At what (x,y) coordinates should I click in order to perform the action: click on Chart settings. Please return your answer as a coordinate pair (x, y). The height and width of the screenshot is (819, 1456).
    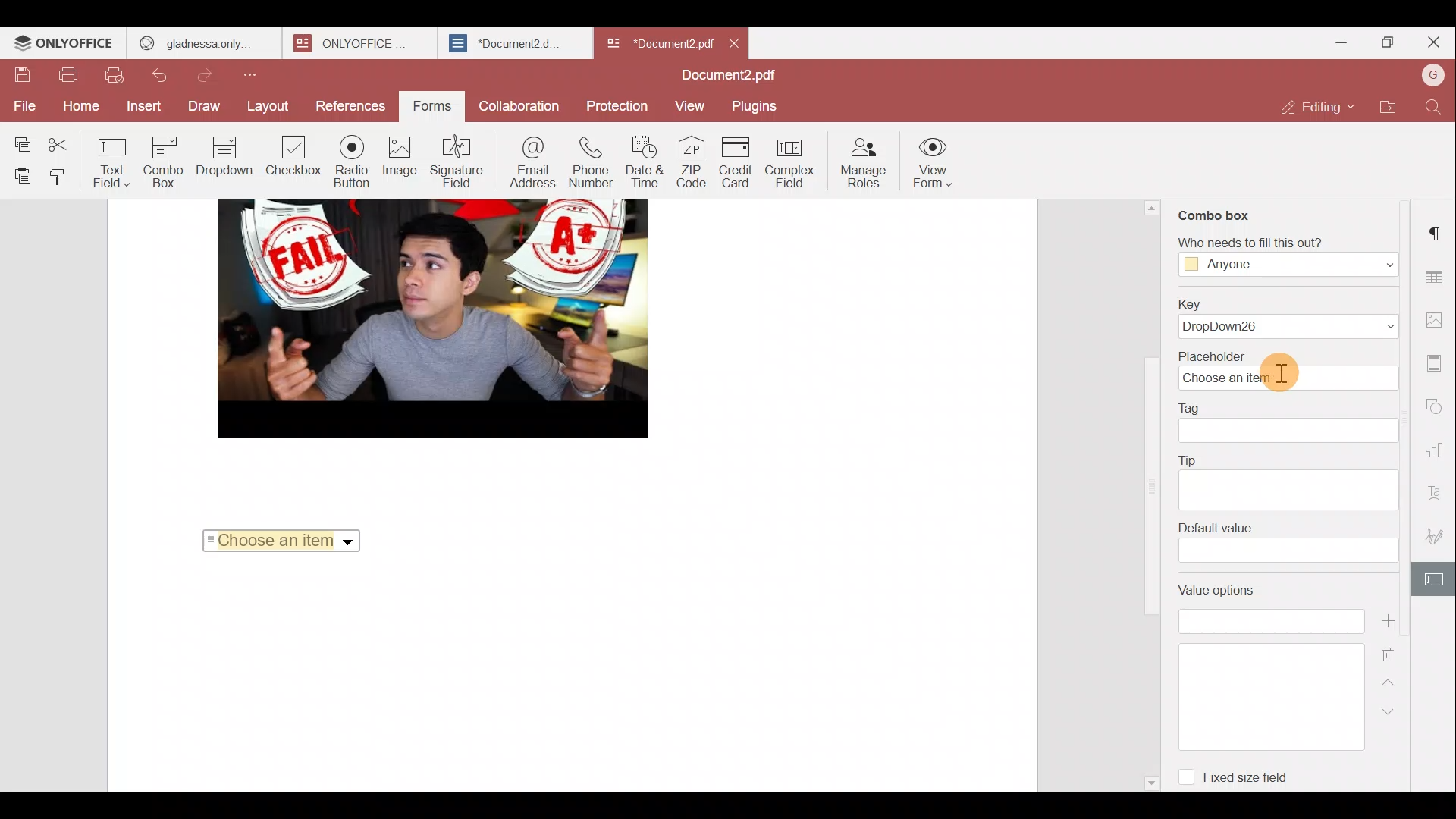
    Looking at the image, I should click on (1439, 452).